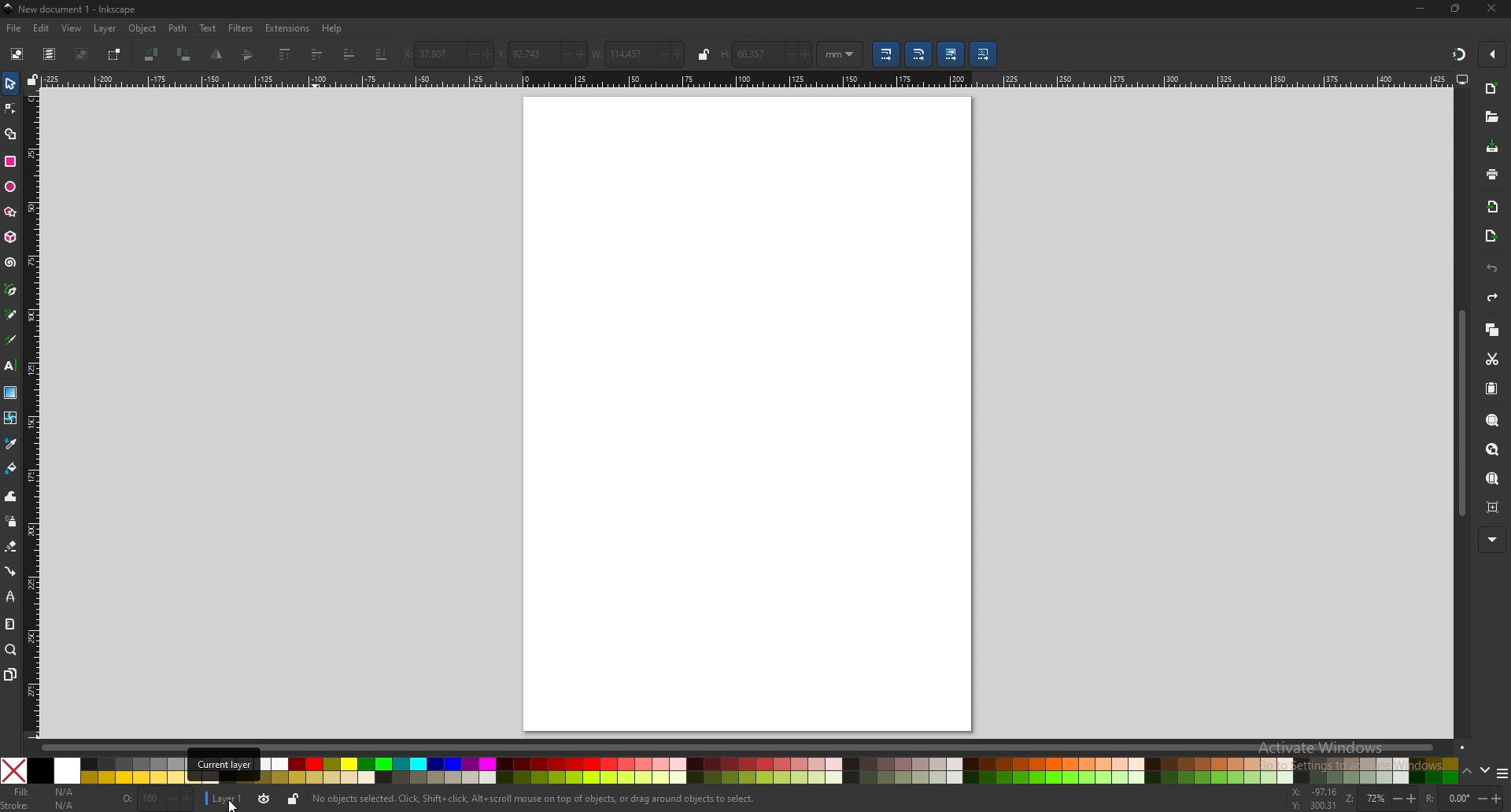 The height and width of the screenshot is (812, 1511). What do you see at coordinates (1492, 328) in the screenshot?
I see `copy` at bounding box center [1492, 328].